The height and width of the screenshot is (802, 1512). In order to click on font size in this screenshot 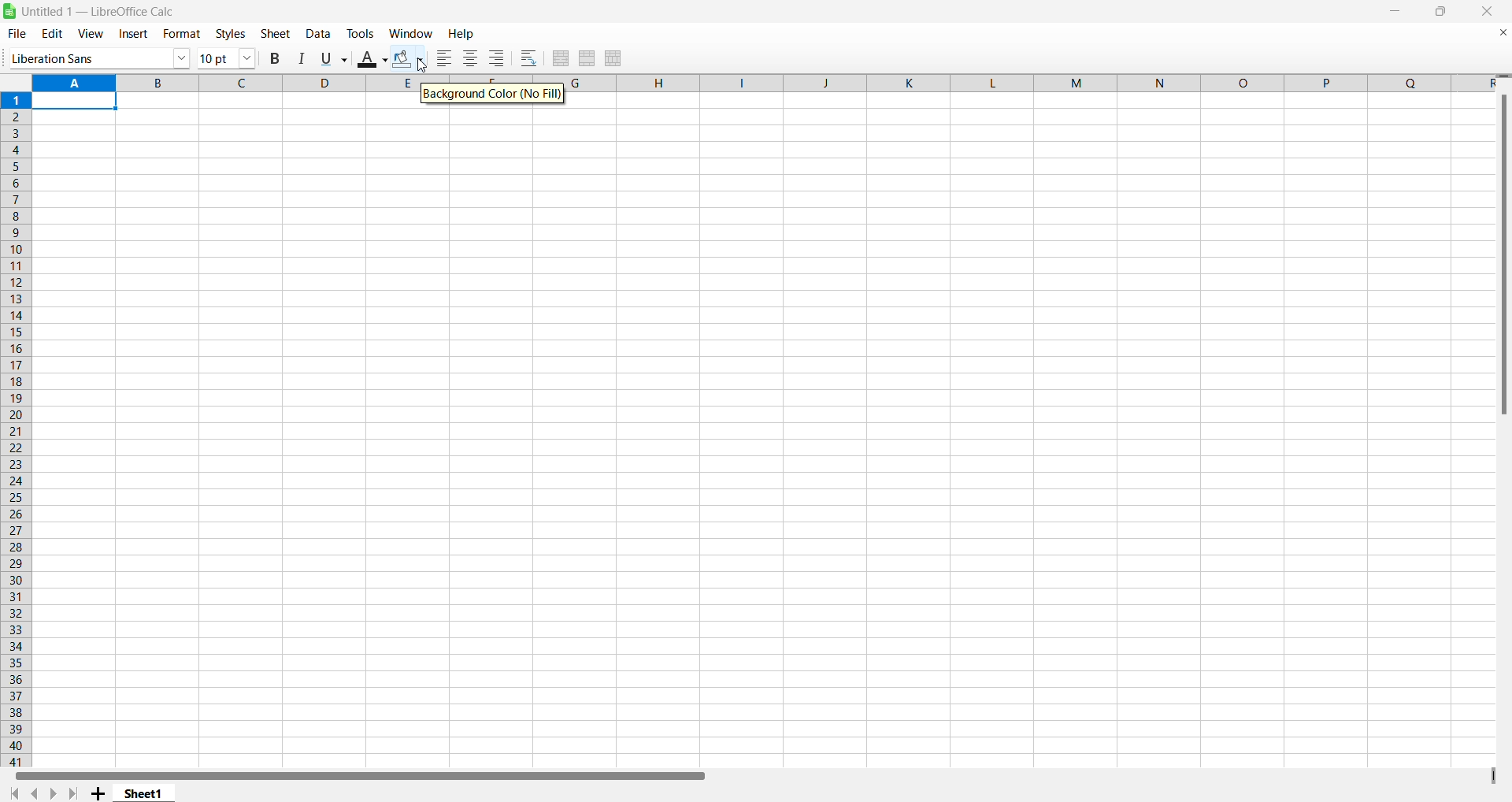, I will do `click(226, 58)`.